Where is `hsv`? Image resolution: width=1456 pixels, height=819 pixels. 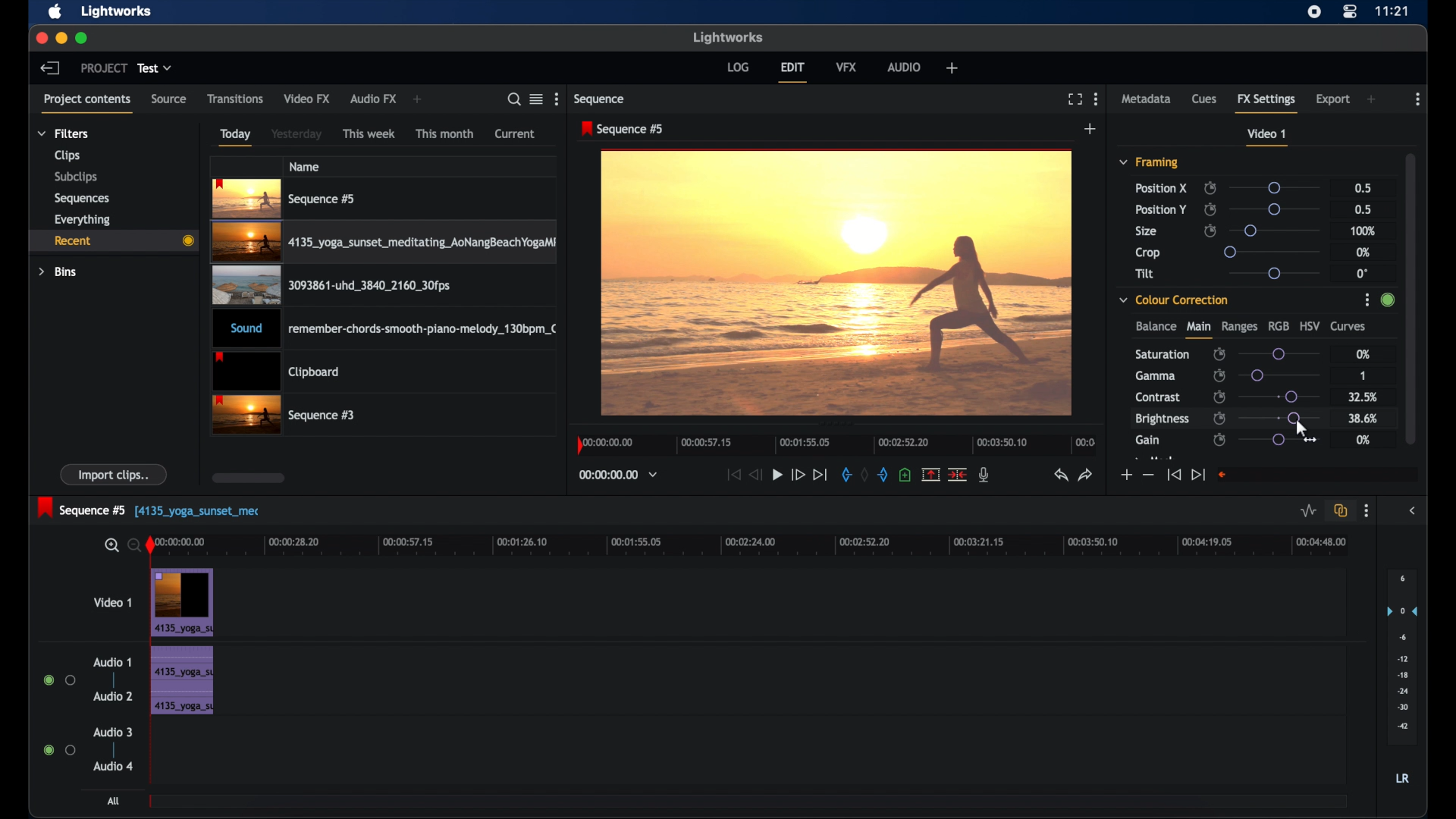
hsv is located at coordinates (1310, 325).